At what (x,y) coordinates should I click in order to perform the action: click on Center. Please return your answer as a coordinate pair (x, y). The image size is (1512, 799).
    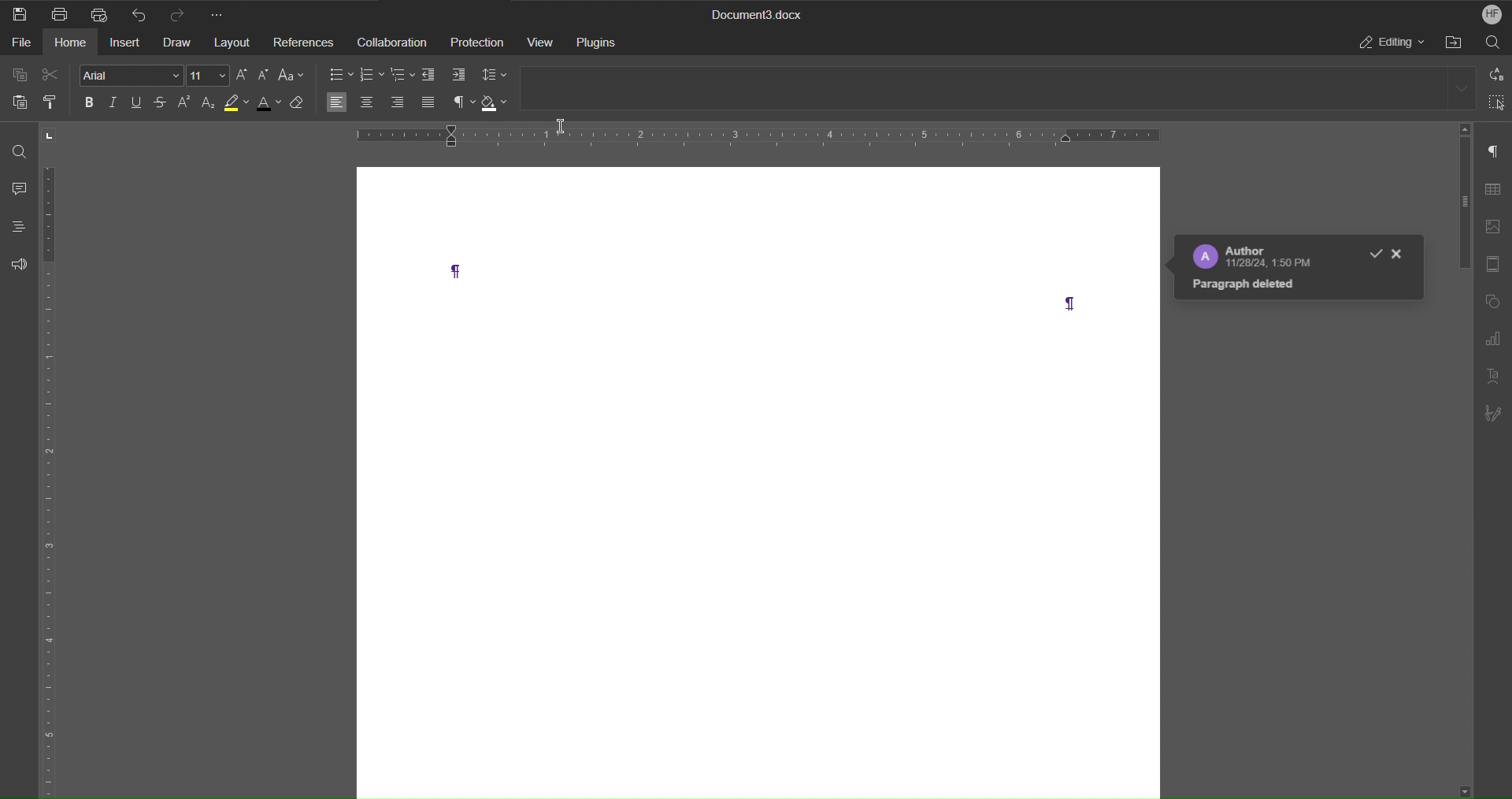
    Looking at the image, I should click on (364, 102).